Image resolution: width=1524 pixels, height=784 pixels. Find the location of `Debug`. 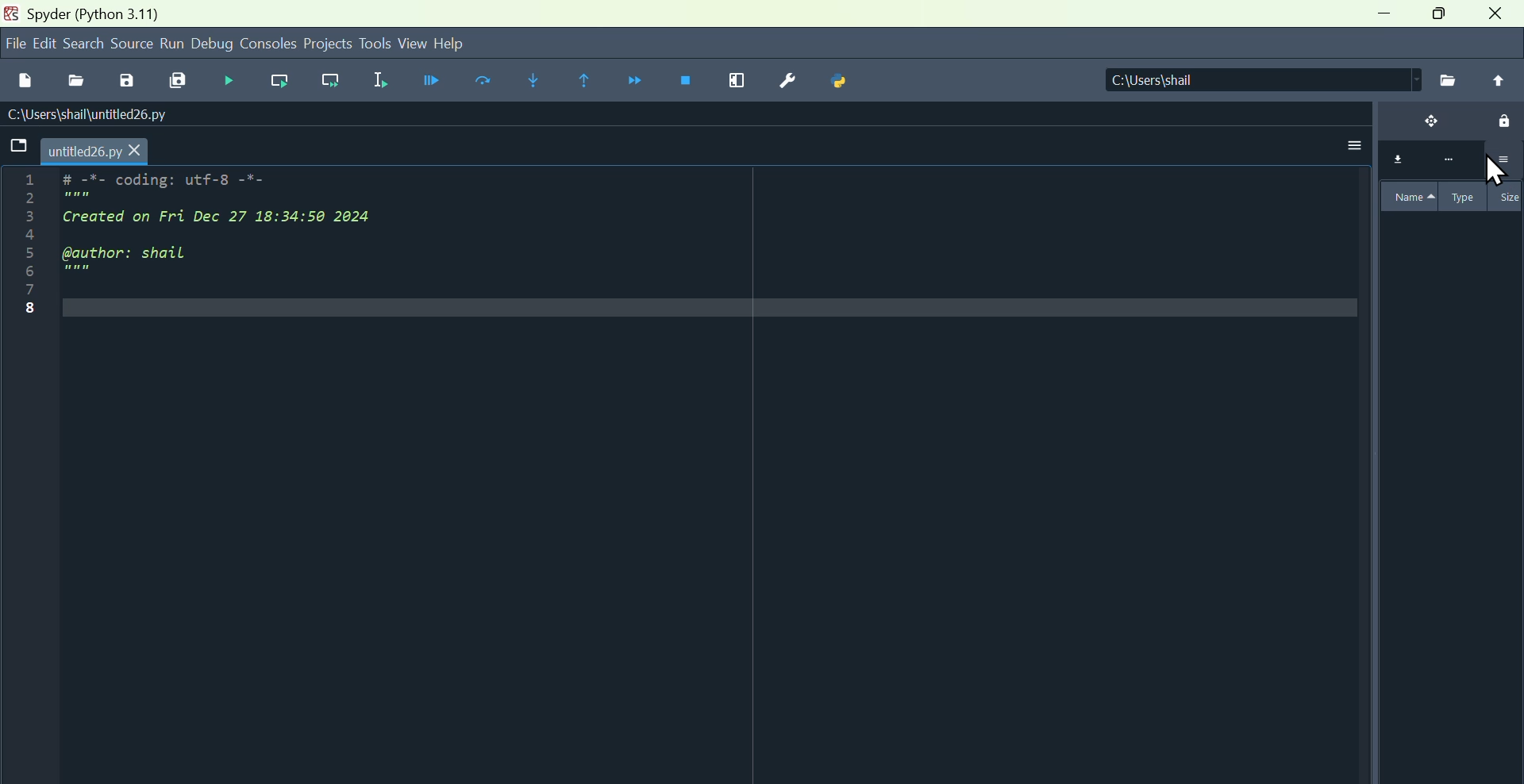

Debug is located at coordinates (214, 44).